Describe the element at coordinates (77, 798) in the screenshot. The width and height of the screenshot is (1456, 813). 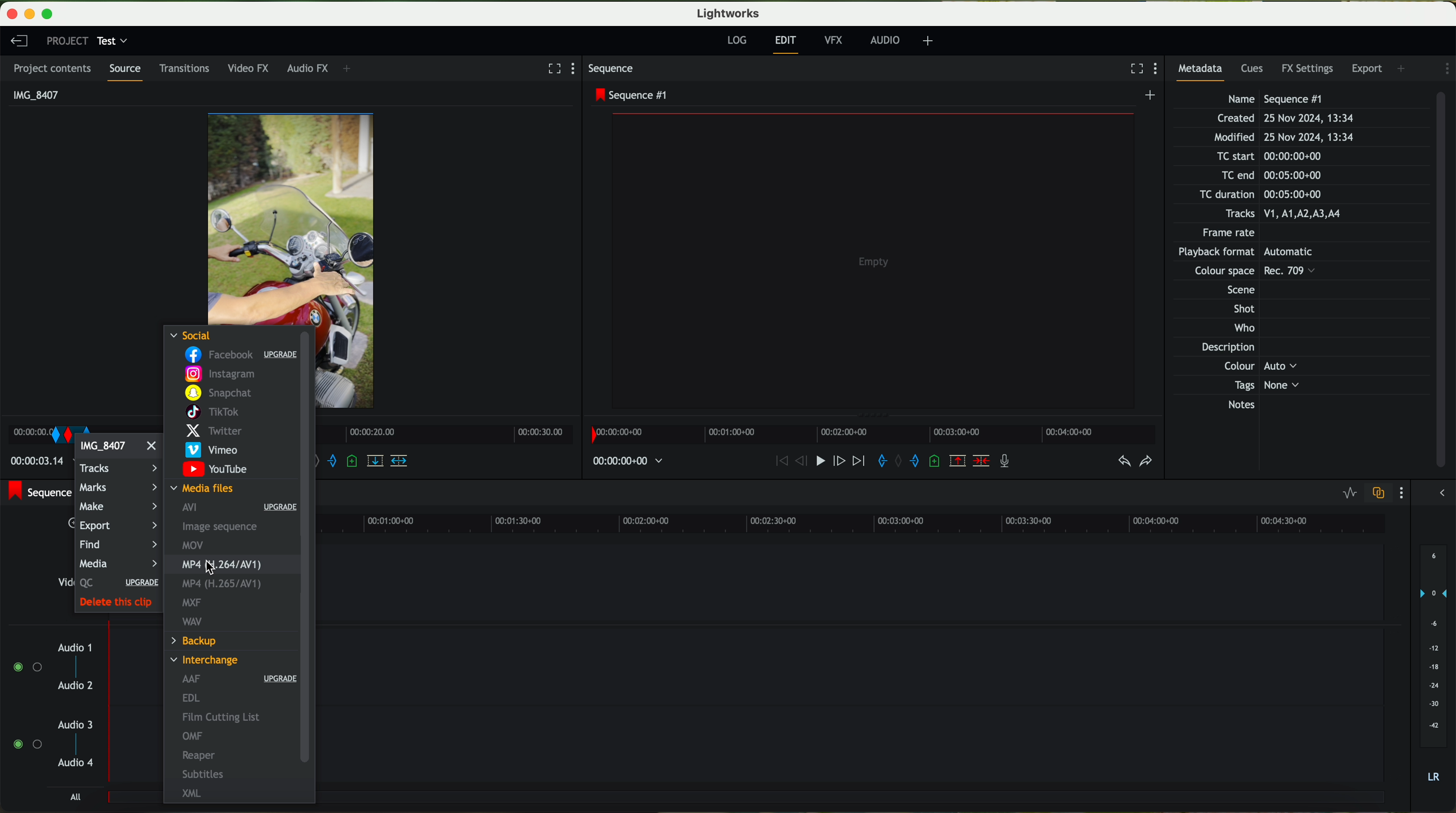
I see `all` at that location.